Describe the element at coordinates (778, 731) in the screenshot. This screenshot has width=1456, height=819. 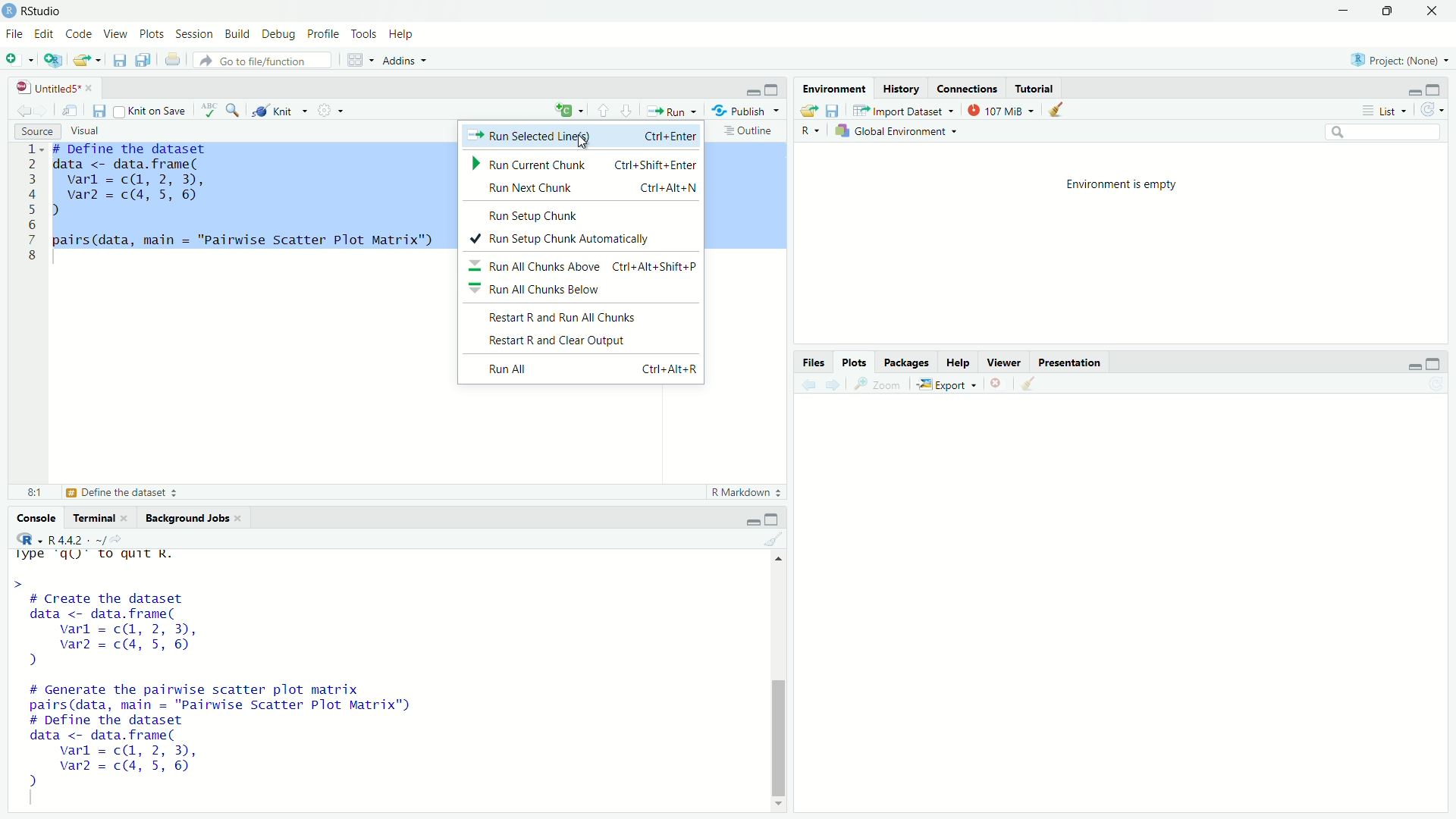
I see `Scrollbar` at that location.